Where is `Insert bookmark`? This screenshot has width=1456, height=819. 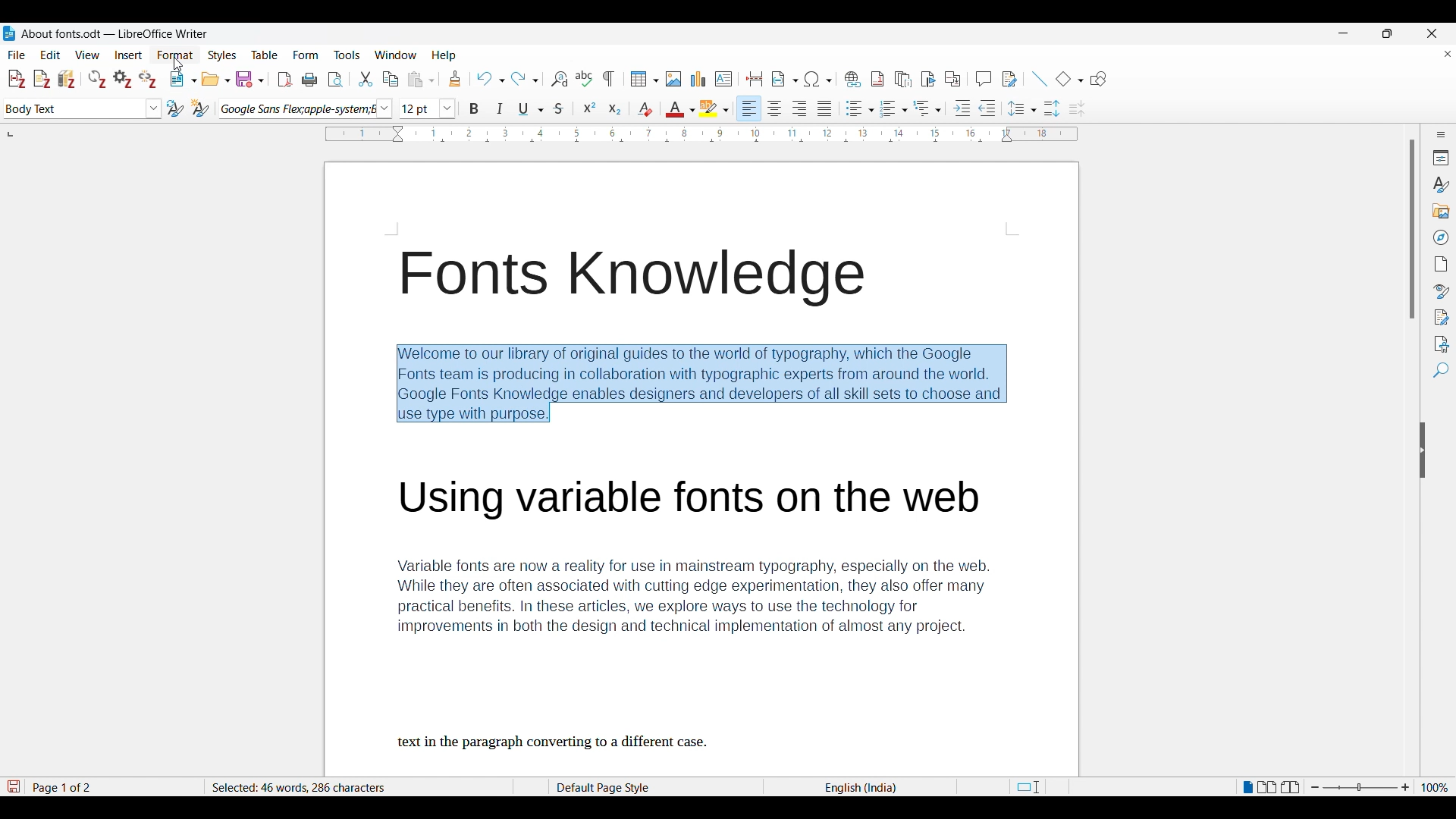
Insert bookmark is located at coordinates (928, 80).